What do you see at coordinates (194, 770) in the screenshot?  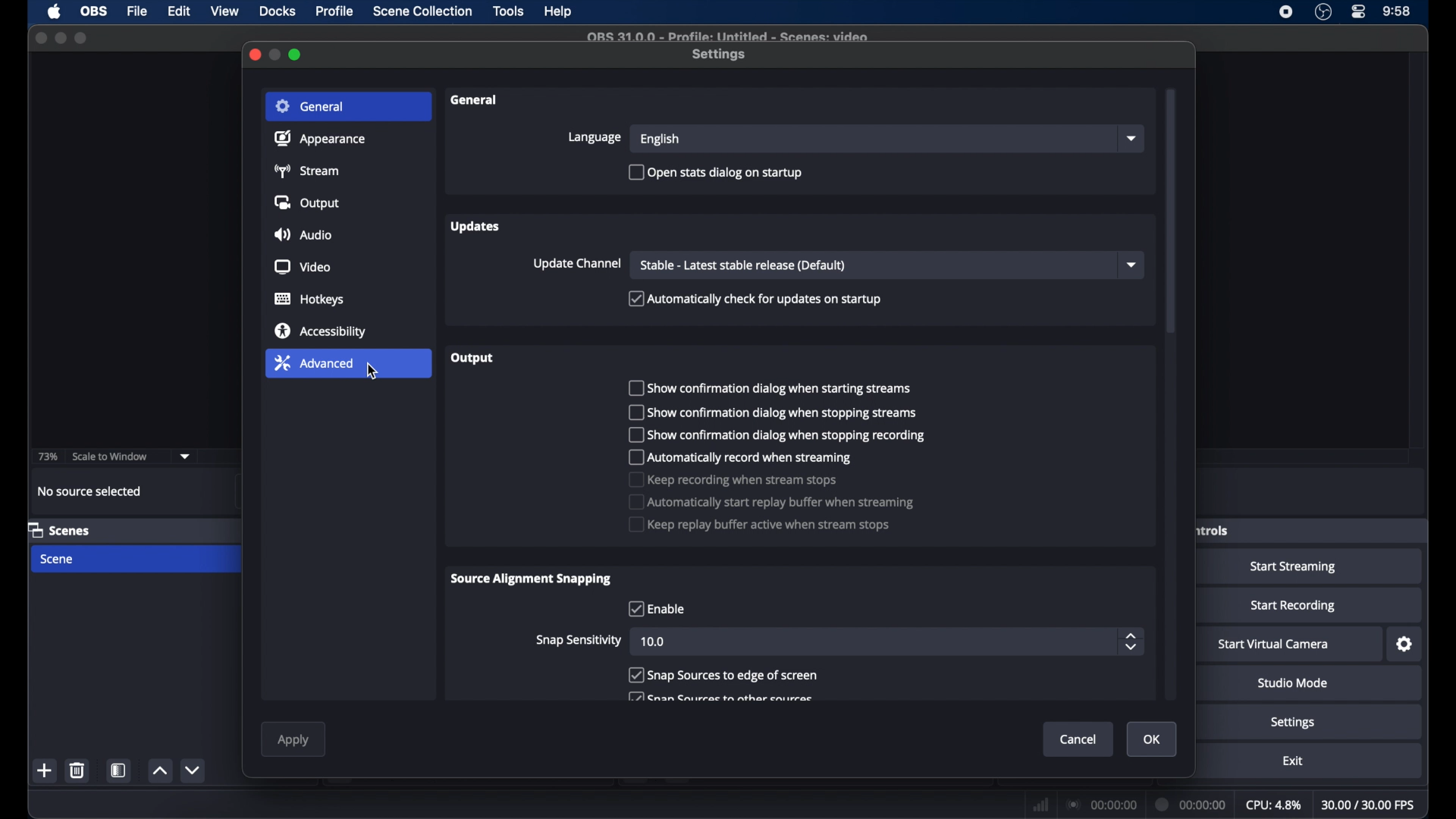 I see `decrement` at bounding box center [194, 770].